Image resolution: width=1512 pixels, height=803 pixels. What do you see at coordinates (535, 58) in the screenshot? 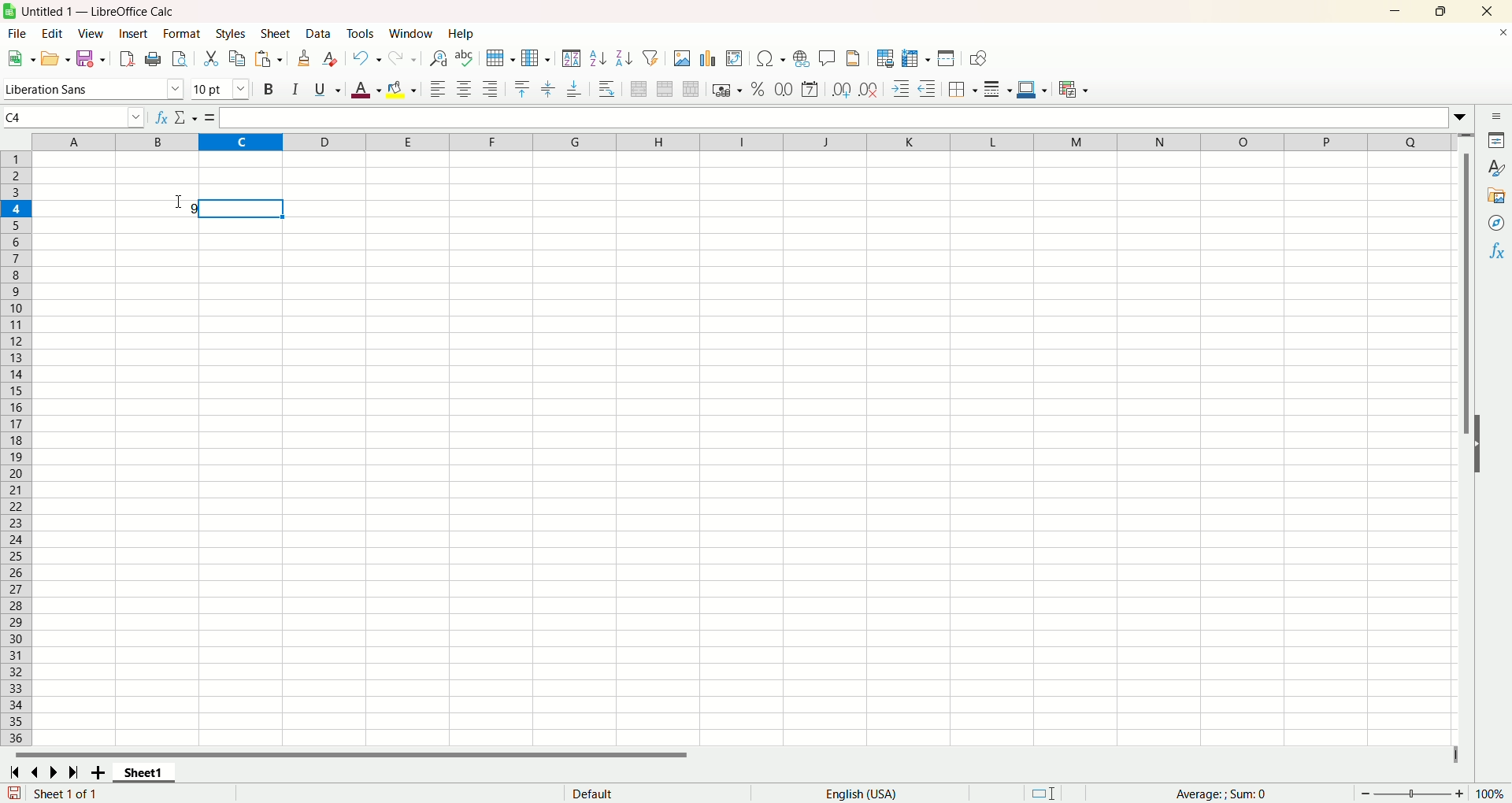
I see `column` at bounding box center [535, 58].